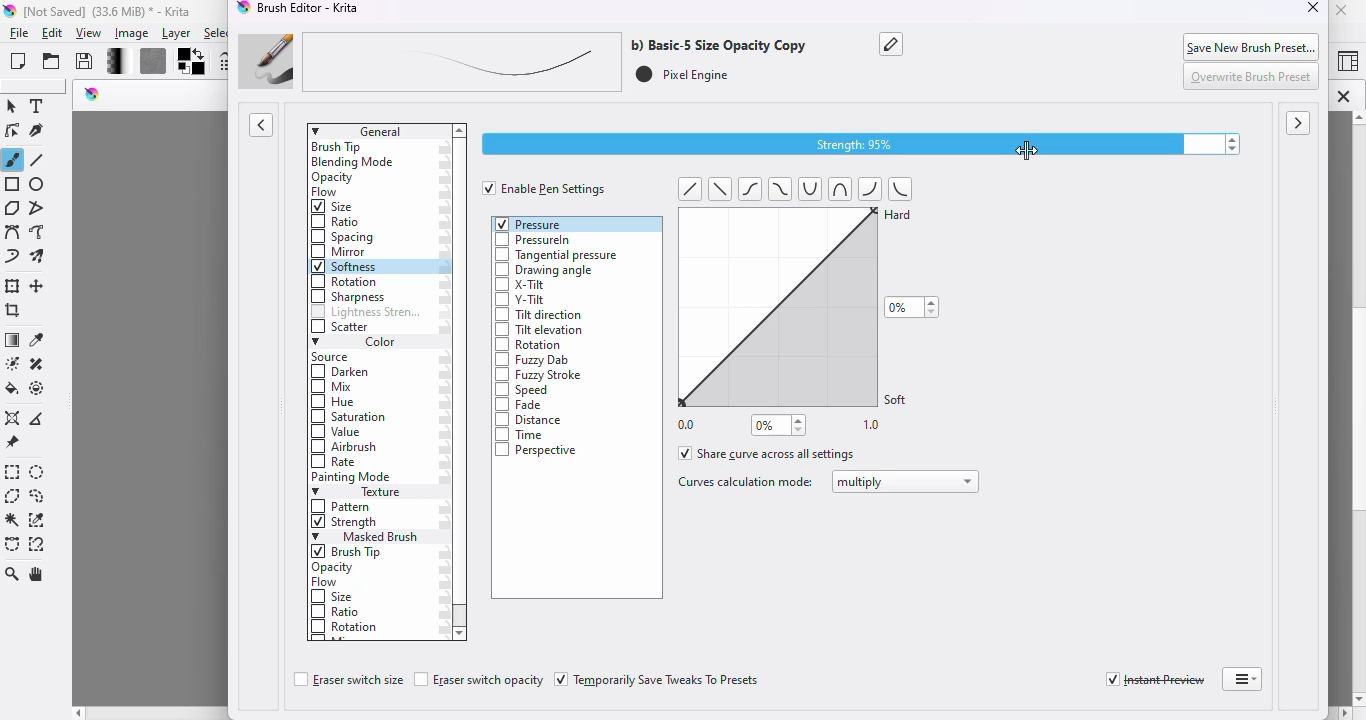 Image resolution: width=1366 pixels, height=720 pixels. Describe the element at coordinates (327, 193) in the screenshot. I see `flow` at that location.